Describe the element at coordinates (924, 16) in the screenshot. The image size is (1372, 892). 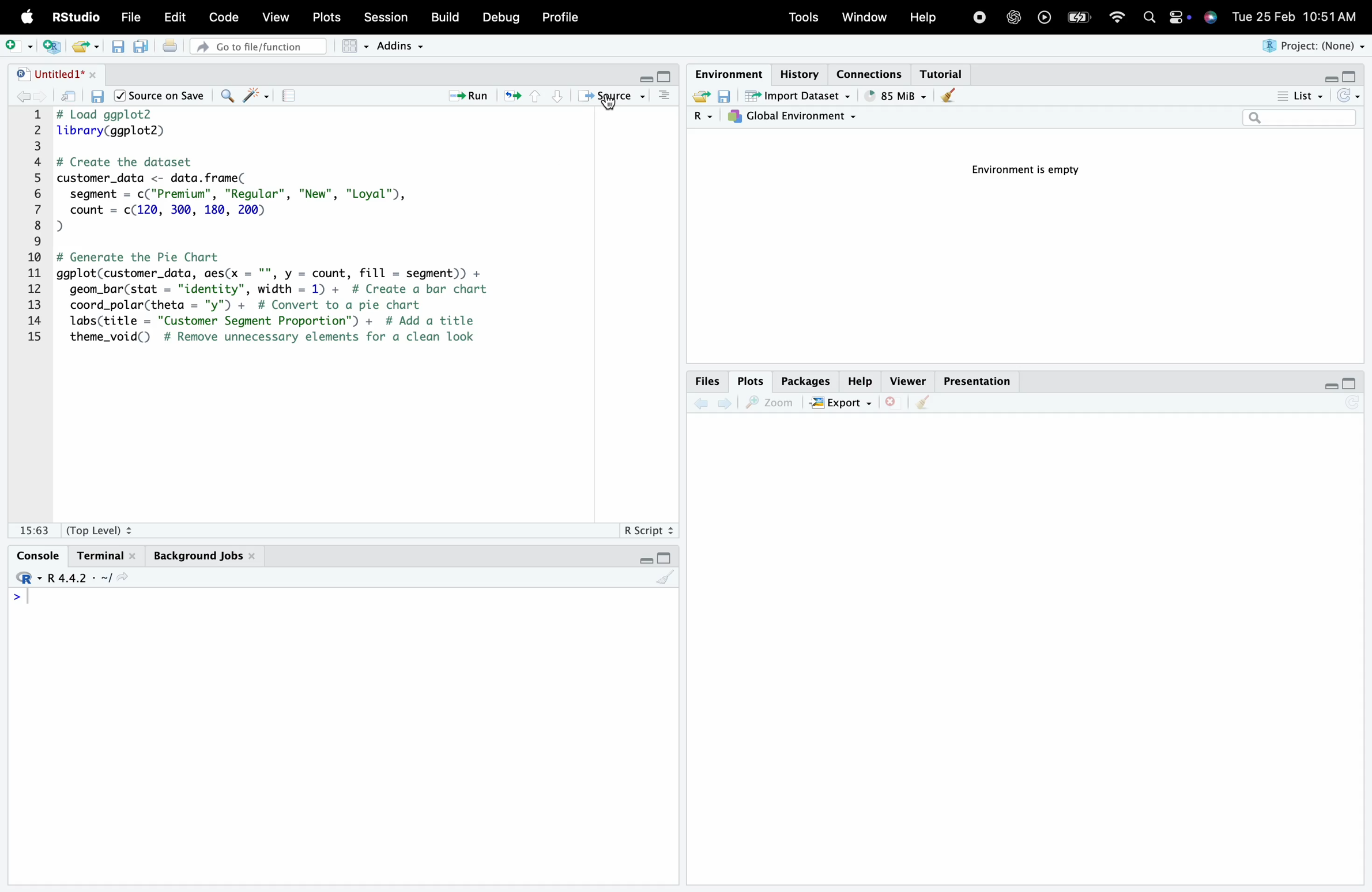
I see `Help` at that location.